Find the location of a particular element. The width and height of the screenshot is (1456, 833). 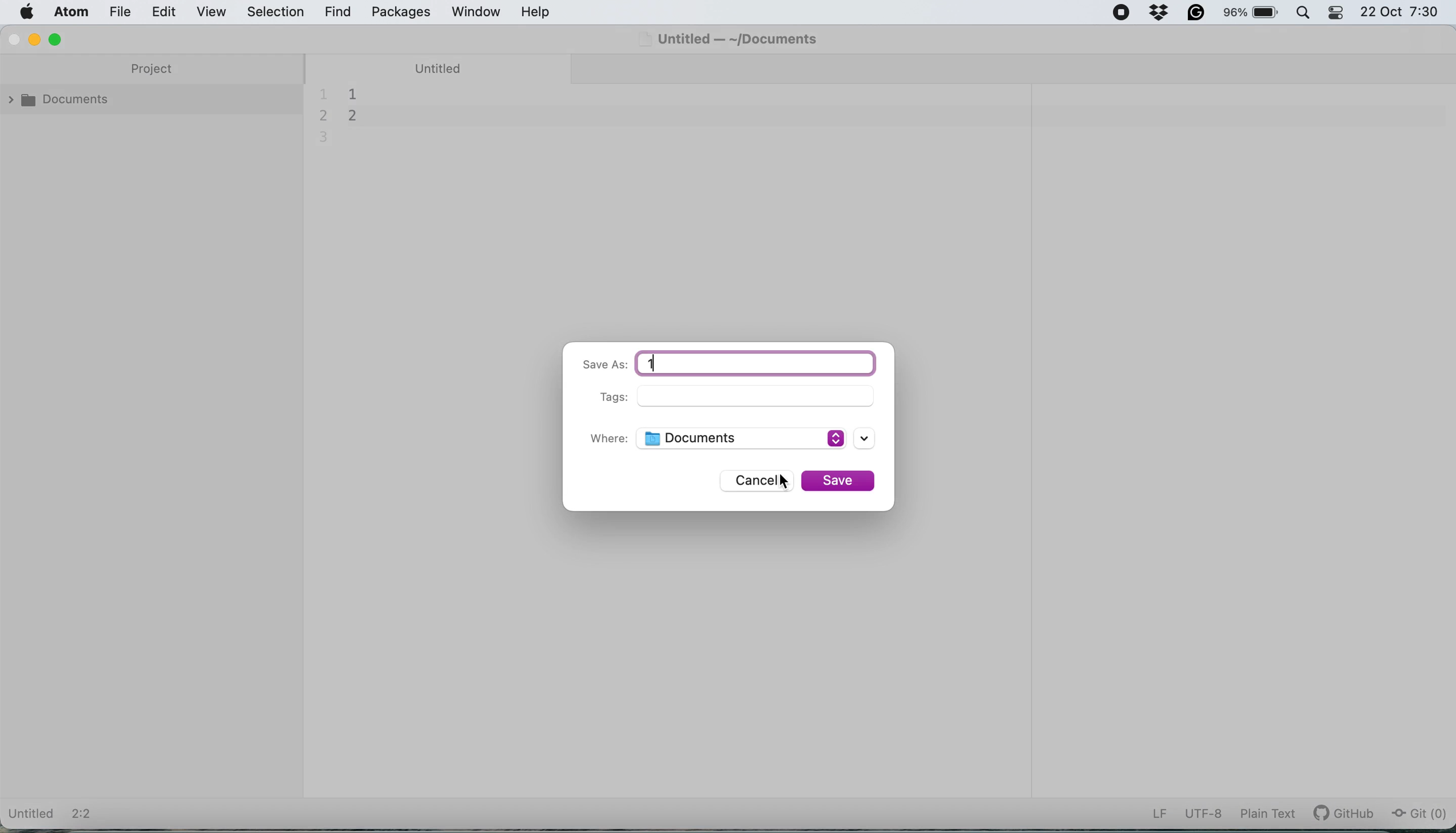

untitled is located at coordinates (443, 68).